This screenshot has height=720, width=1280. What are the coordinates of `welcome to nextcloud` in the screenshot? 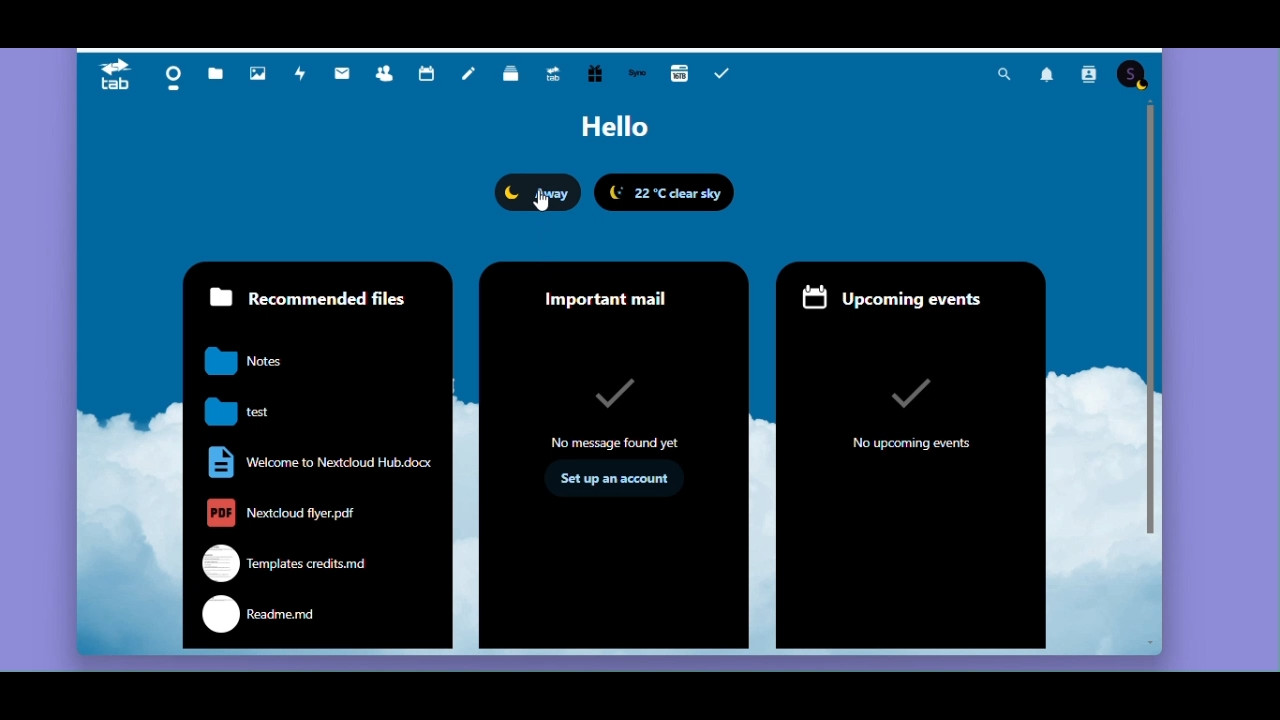 It's located at (316, 463).